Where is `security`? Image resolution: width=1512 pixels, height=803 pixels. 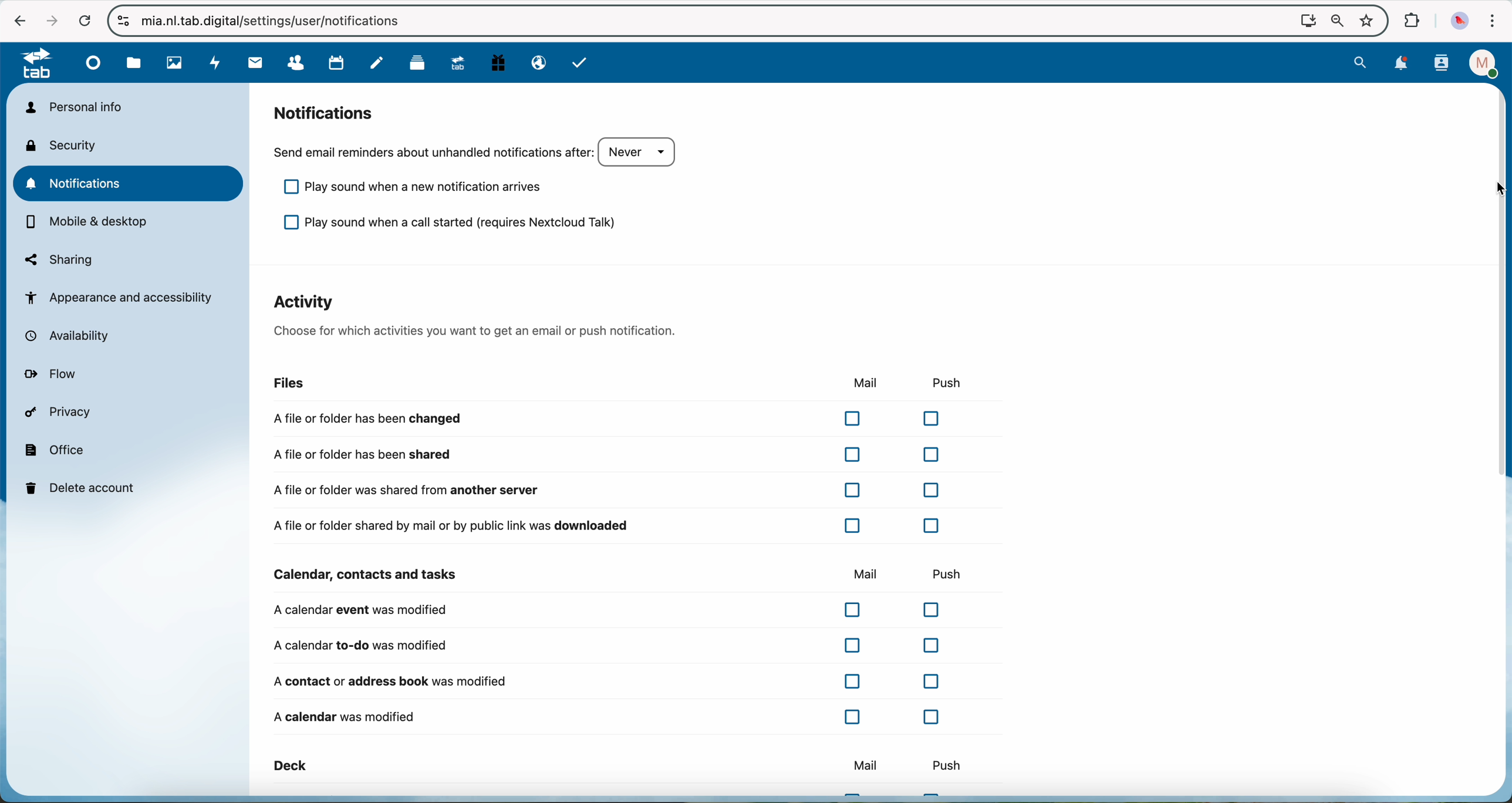 security is located at coordinates (65, 145).